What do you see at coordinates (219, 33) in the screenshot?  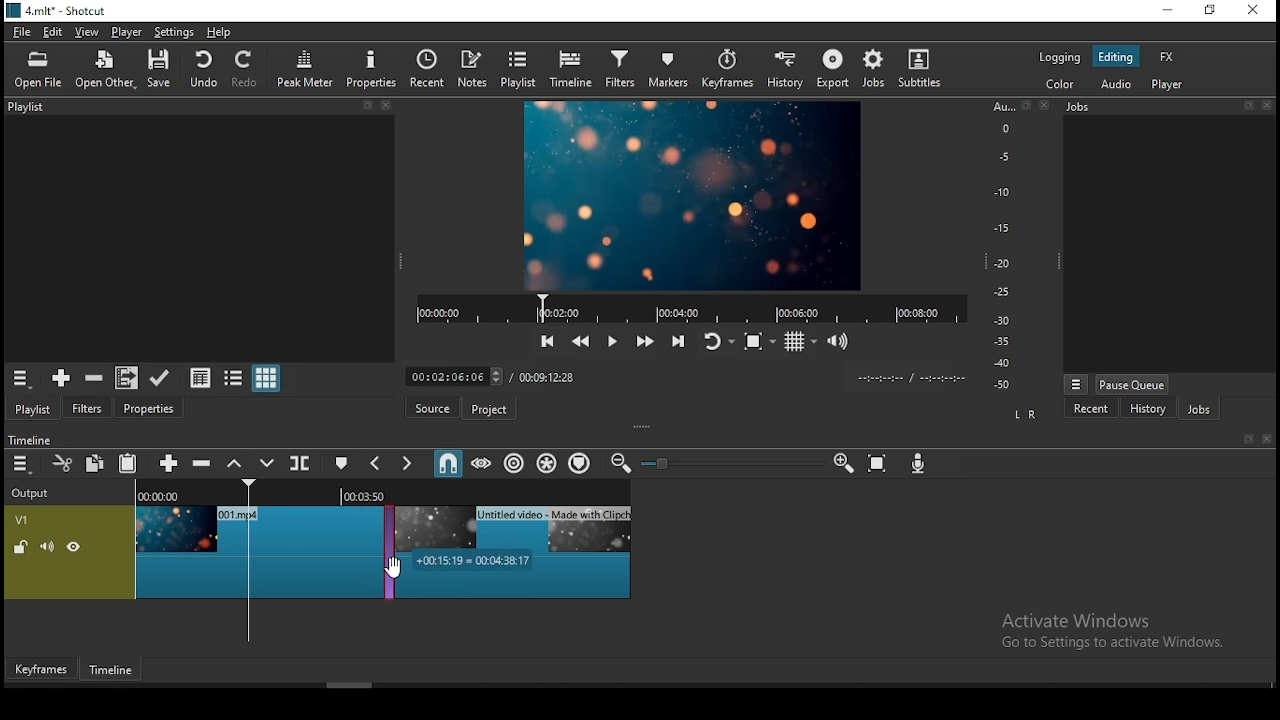 I see `help` at bounding box center [219, 33].